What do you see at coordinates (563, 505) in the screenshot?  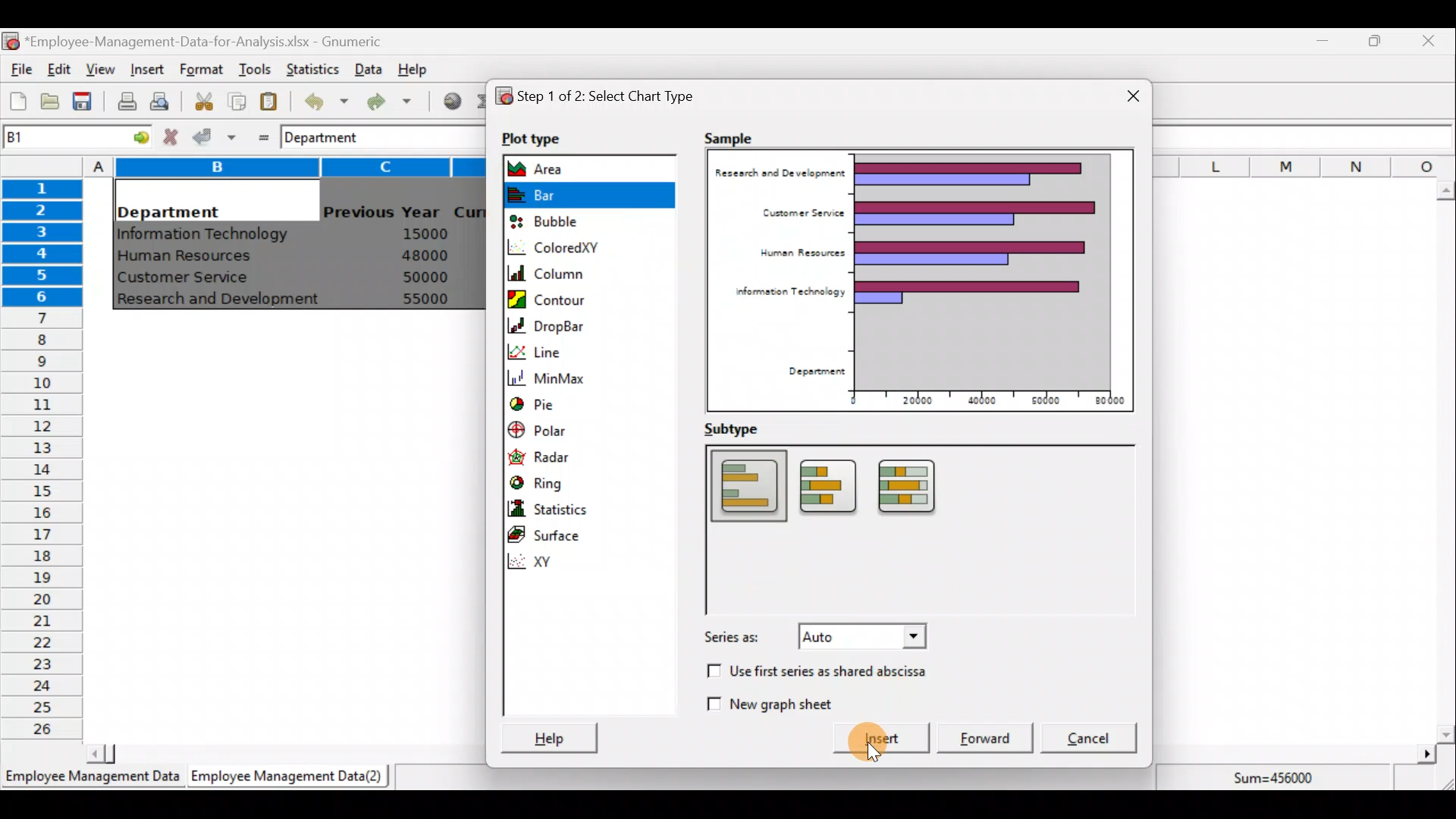 I see `Statistics` at bounding box center [563, 505].